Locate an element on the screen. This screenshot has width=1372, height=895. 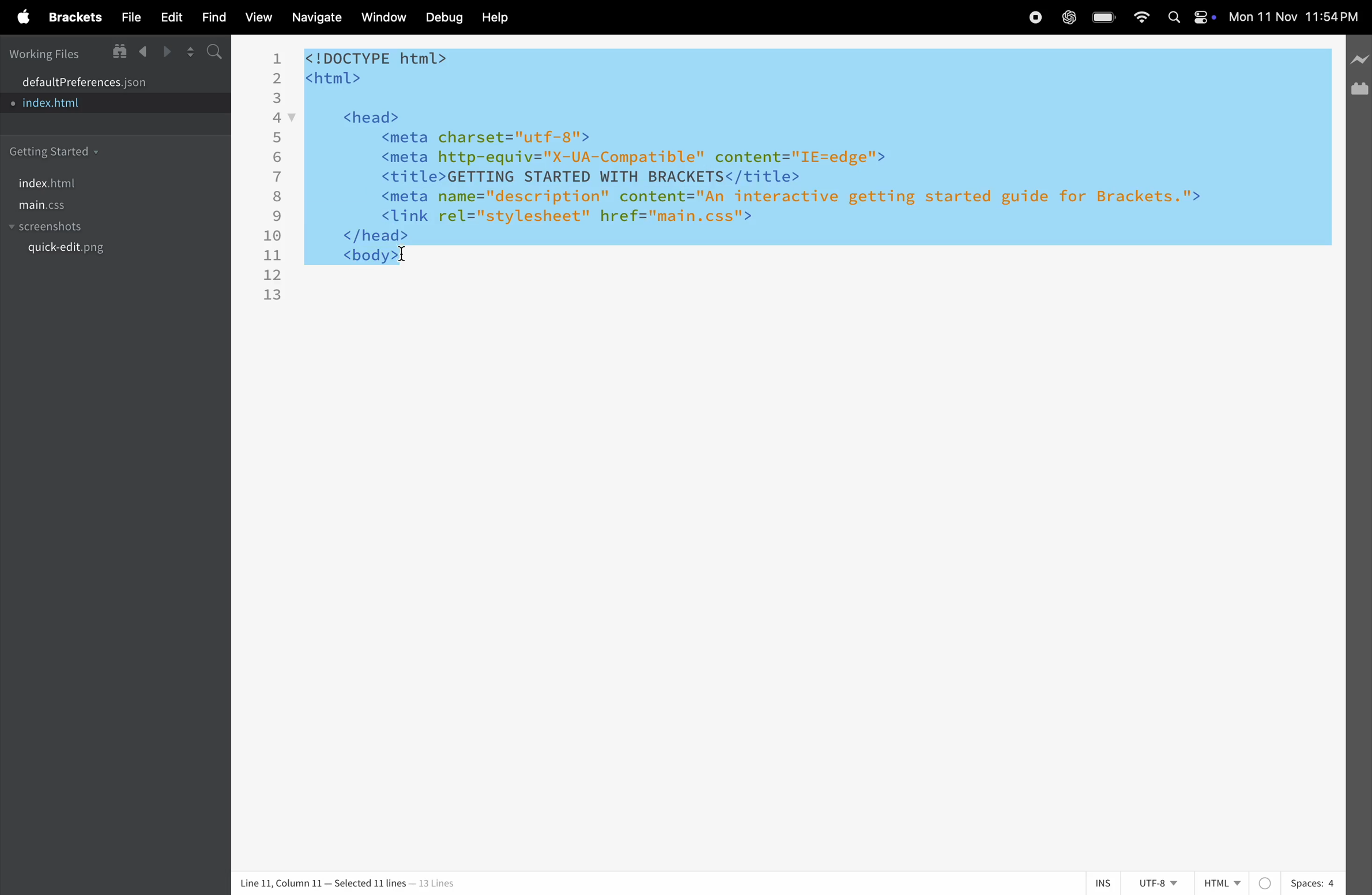
html is located at coordinates (1238, 881).